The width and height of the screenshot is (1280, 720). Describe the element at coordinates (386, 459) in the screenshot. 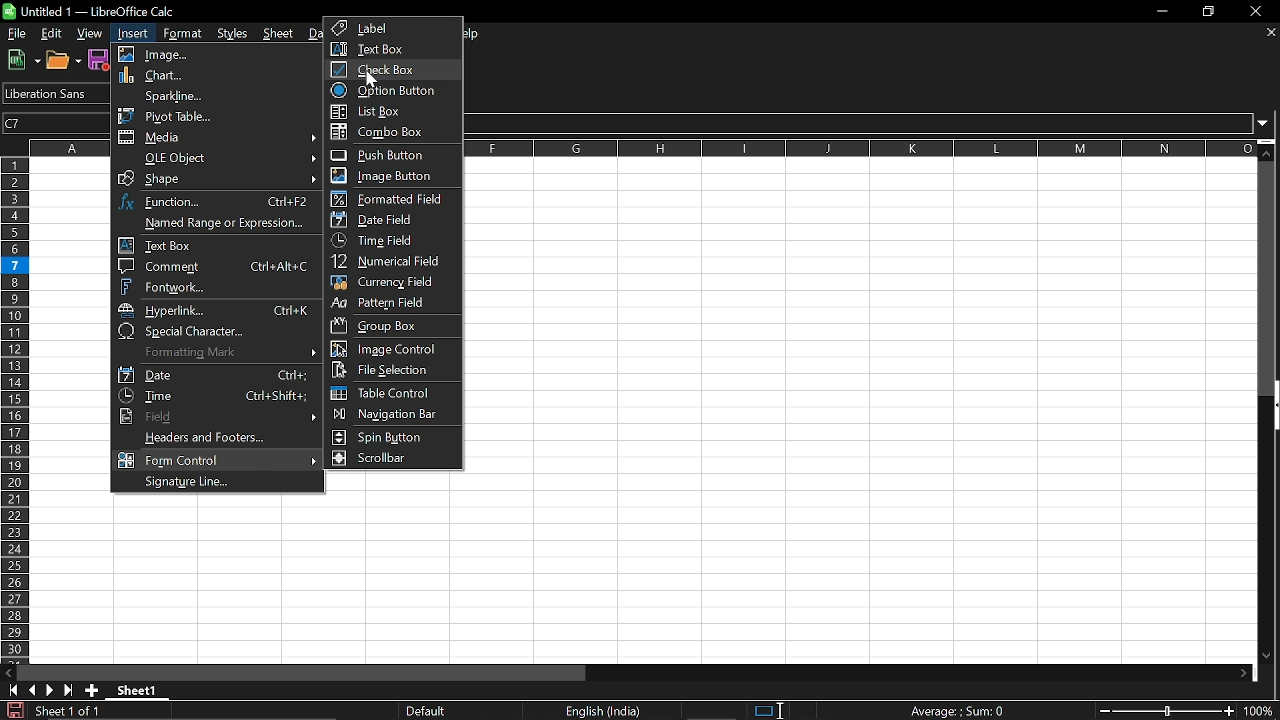

I see `Scrollbar` at that location.